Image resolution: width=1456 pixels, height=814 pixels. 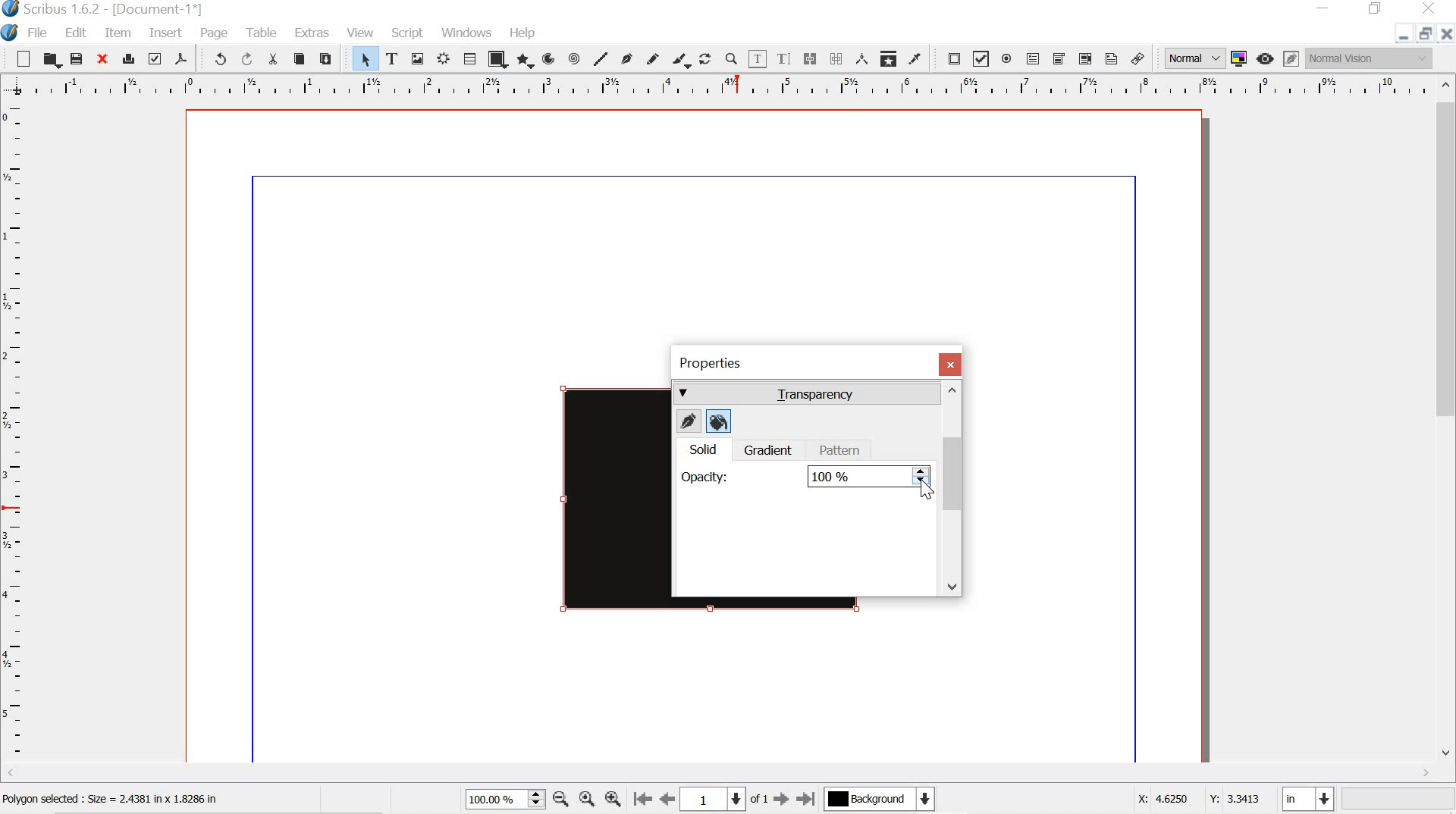 What do you see at coordinates (888, 57) in the screenshot?
I see `copy item properties` at bounding box center [888, 57].